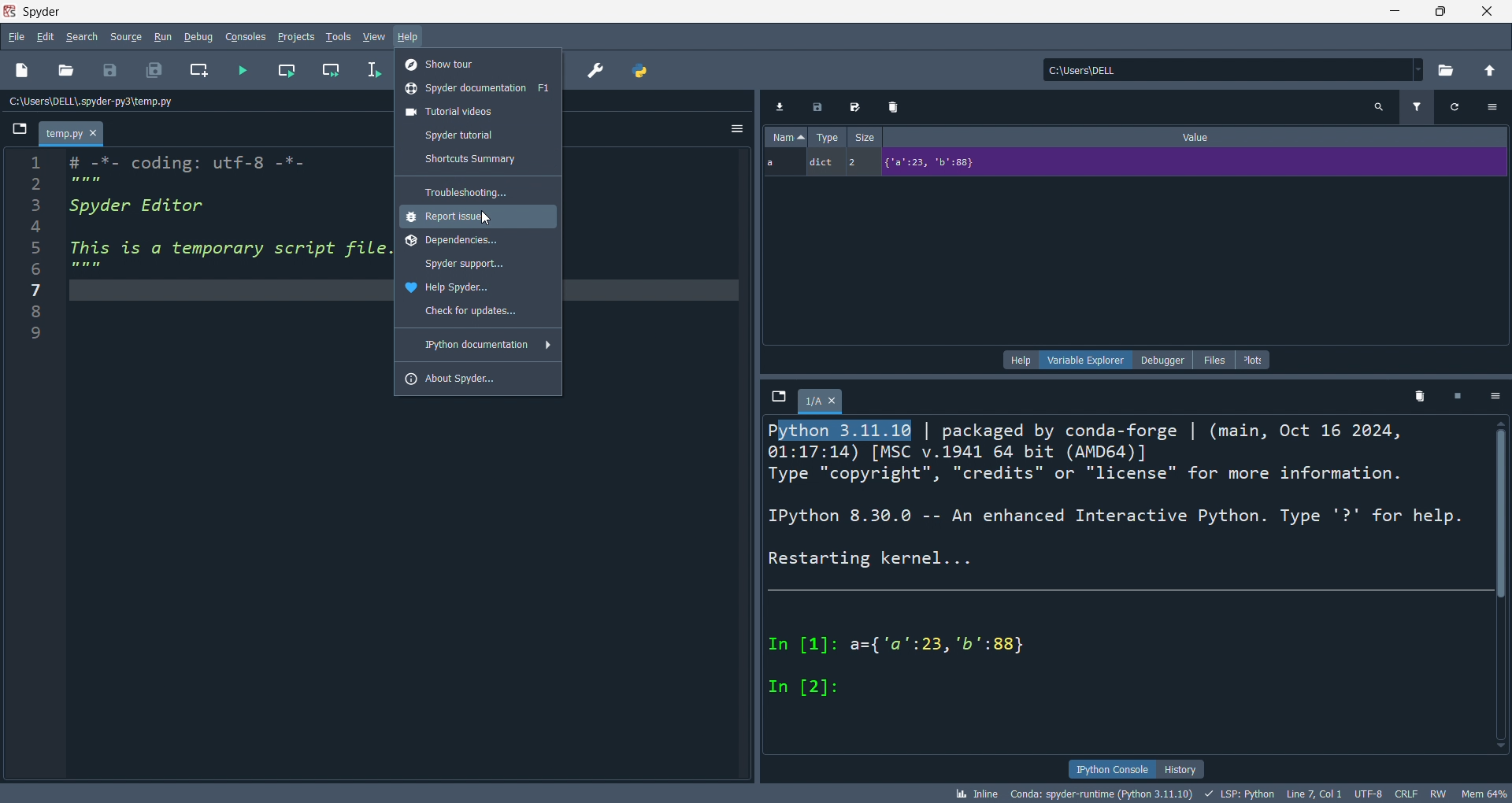  I want to click on close, so click(1488, 12).